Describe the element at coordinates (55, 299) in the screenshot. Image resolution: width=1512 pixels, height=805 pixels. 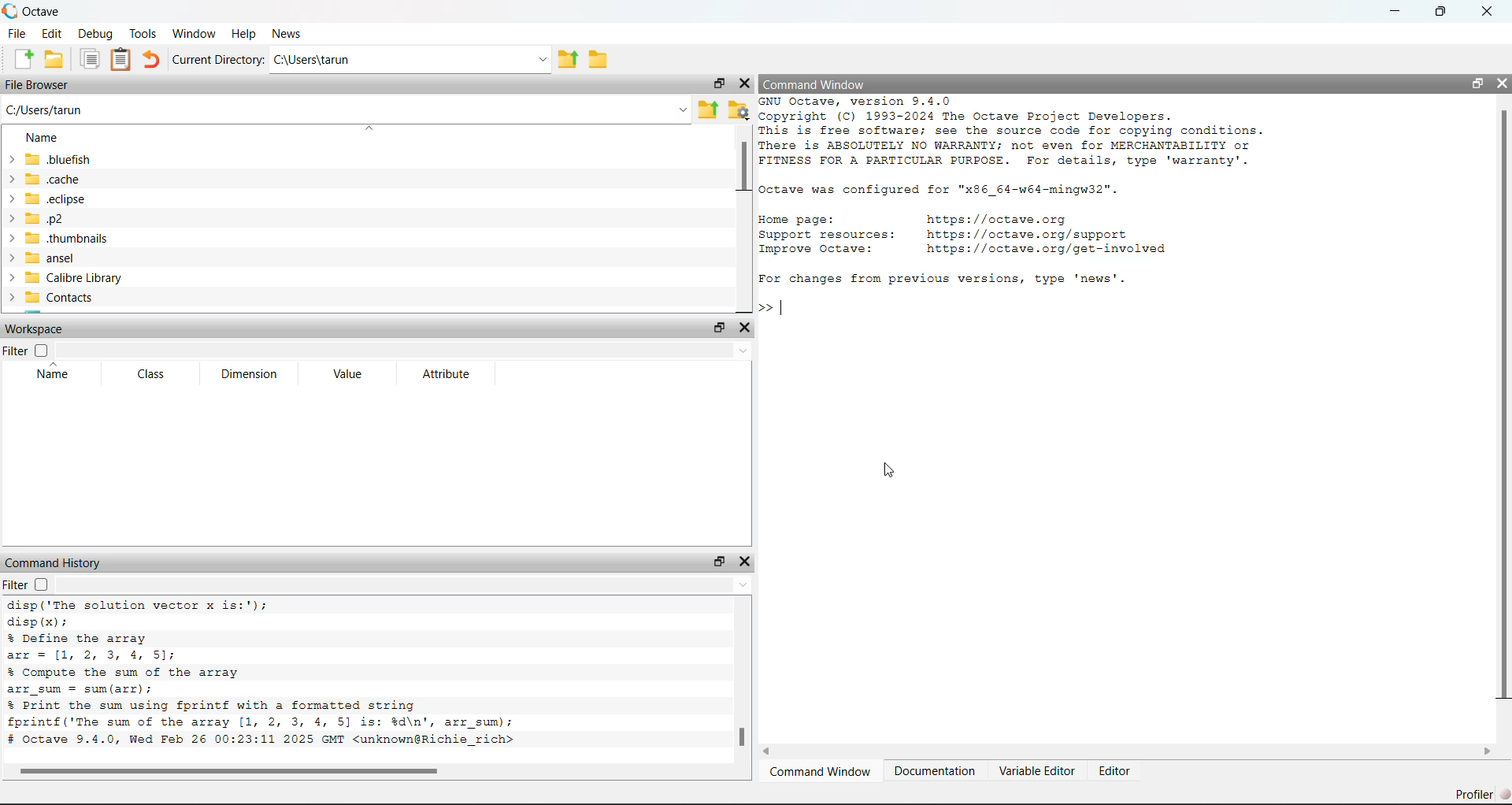
I see `Contacts` at that location.